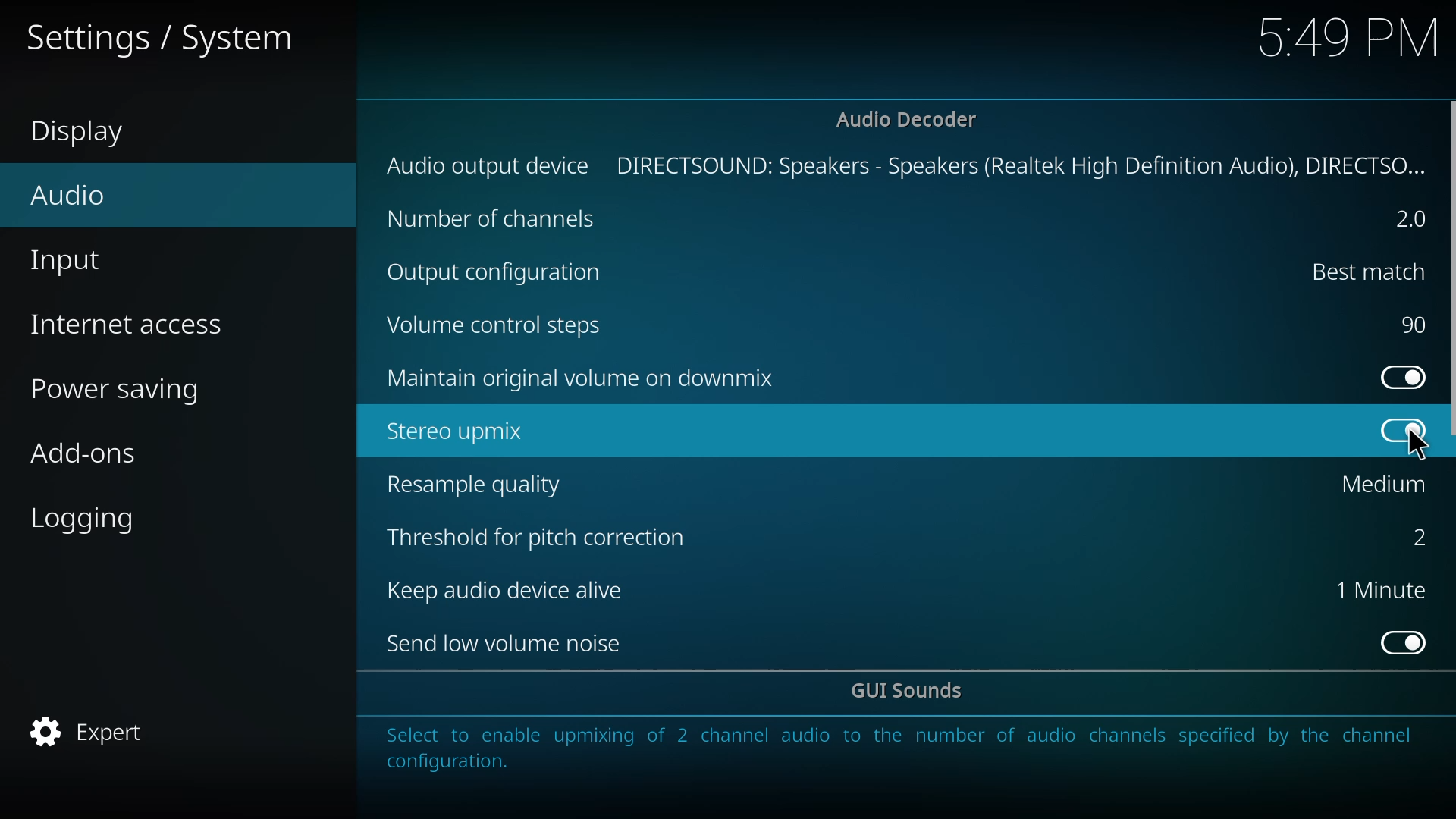 This screenshot has width=1456, height=819. Describe the element at coordinates (494, 218) in the screenshot. I see `channels` at that location.